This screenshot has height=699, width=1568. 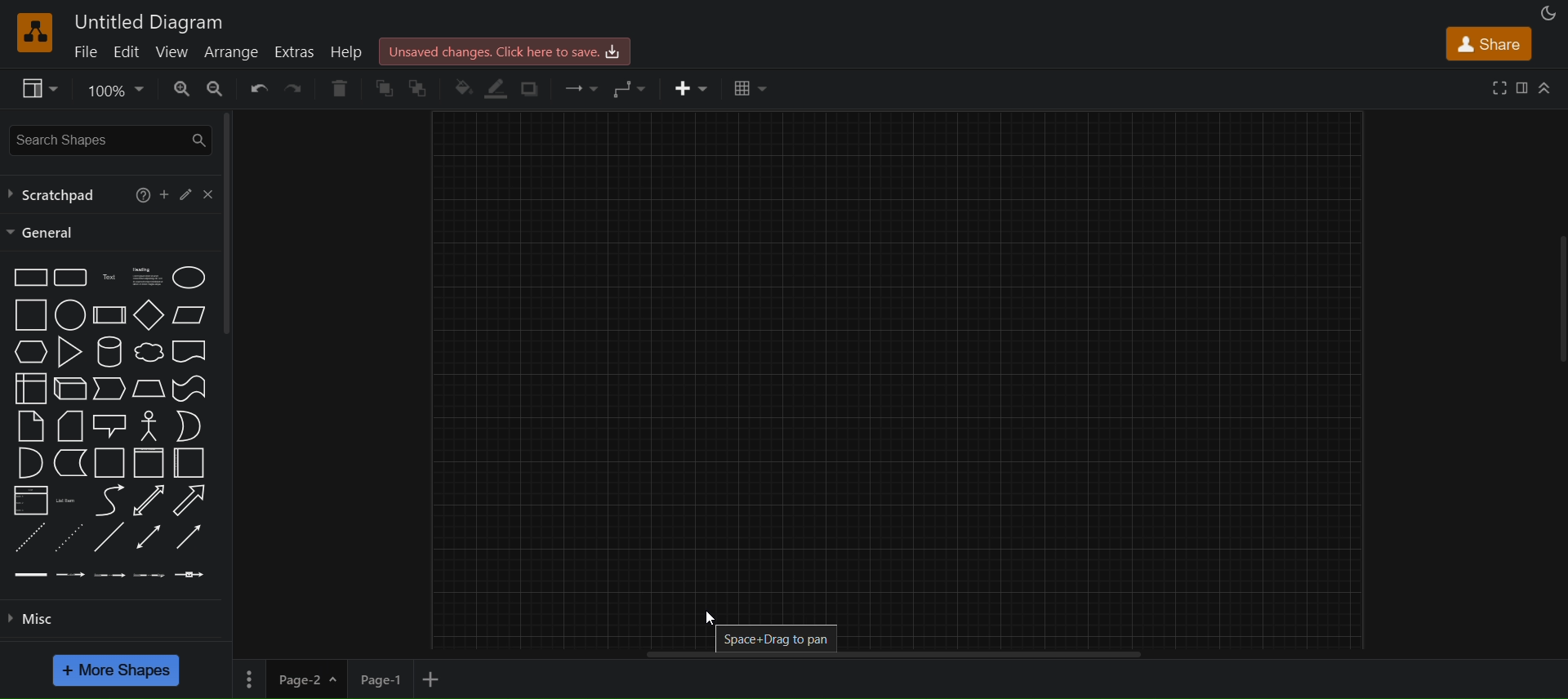 What do you see at coordinates (713, 617) in the screenshot?
I see `cursor` at bounding box center [713, 617].